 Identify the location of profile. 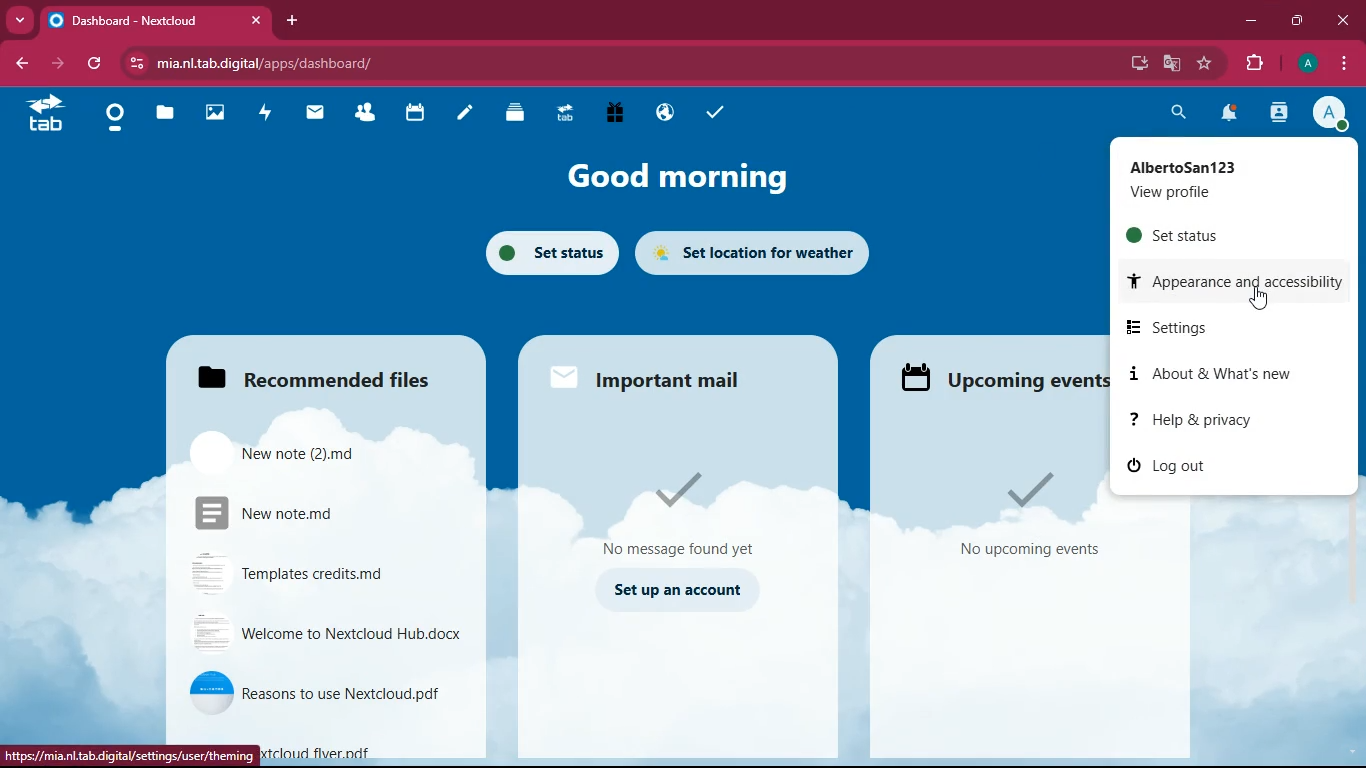
(1310, 64).